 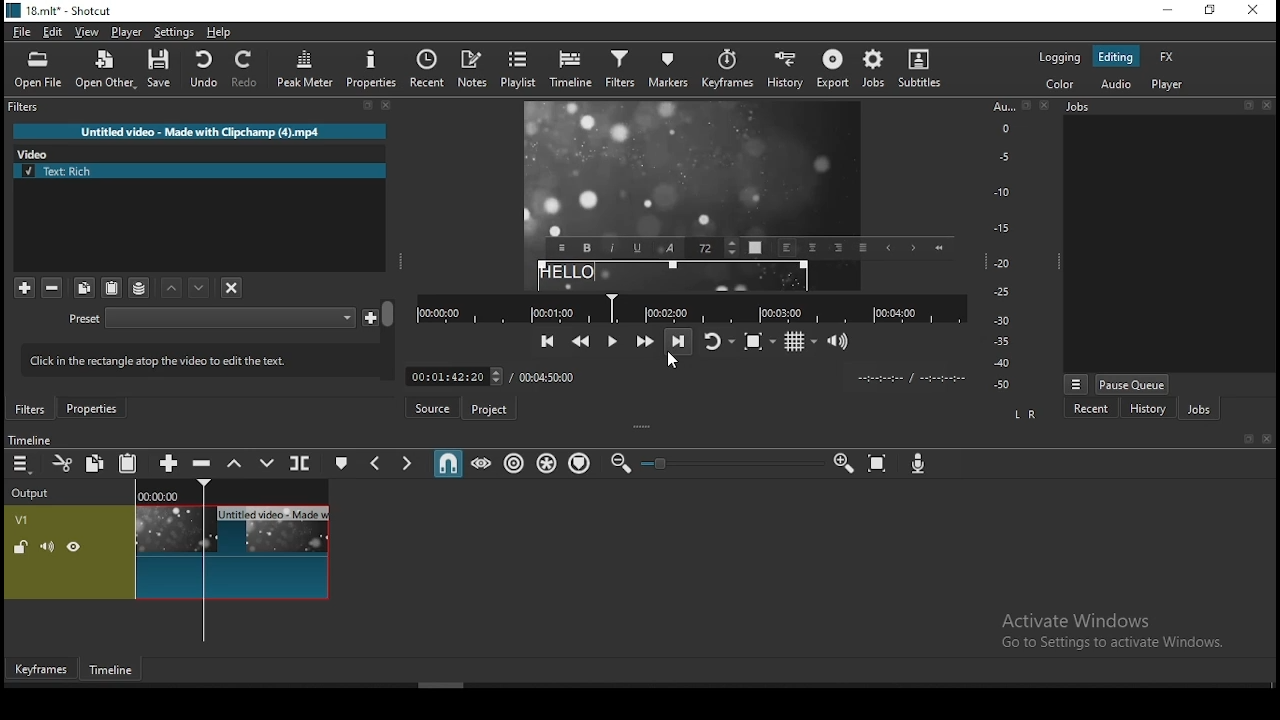 What do you see at coordinates (87, 33) in the screenshot?
I see `view` at bounding box center [87, 33].